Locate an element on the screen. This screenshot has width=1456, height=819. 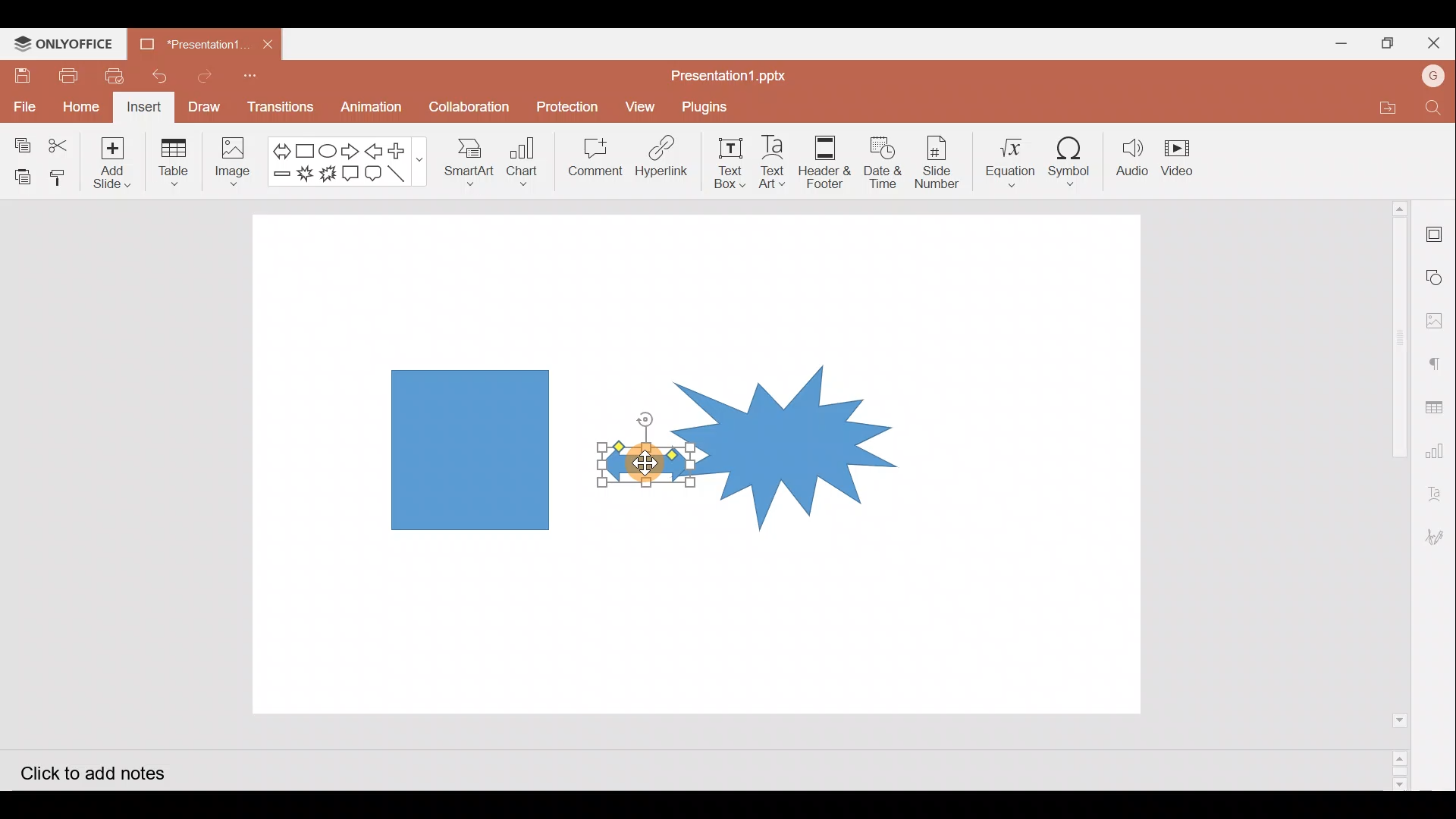
Insert is located at coordinates (145, 108).